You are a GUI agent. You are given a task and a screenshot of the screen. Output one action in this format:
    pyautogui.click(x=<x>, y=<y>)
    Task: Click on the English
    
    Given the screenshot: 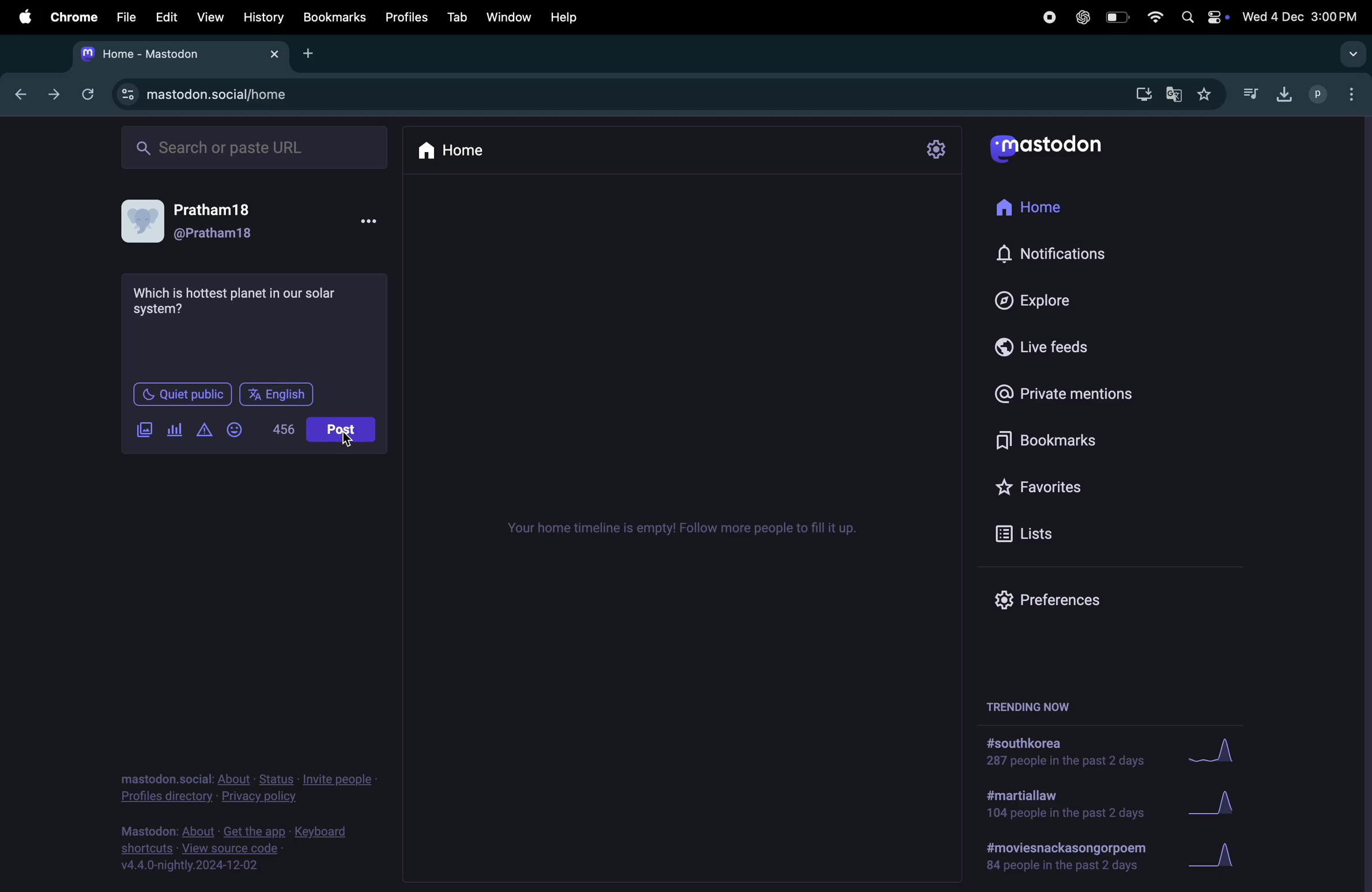 What is the action you would take?
    pyautogui.click(x=276, y=394)
    